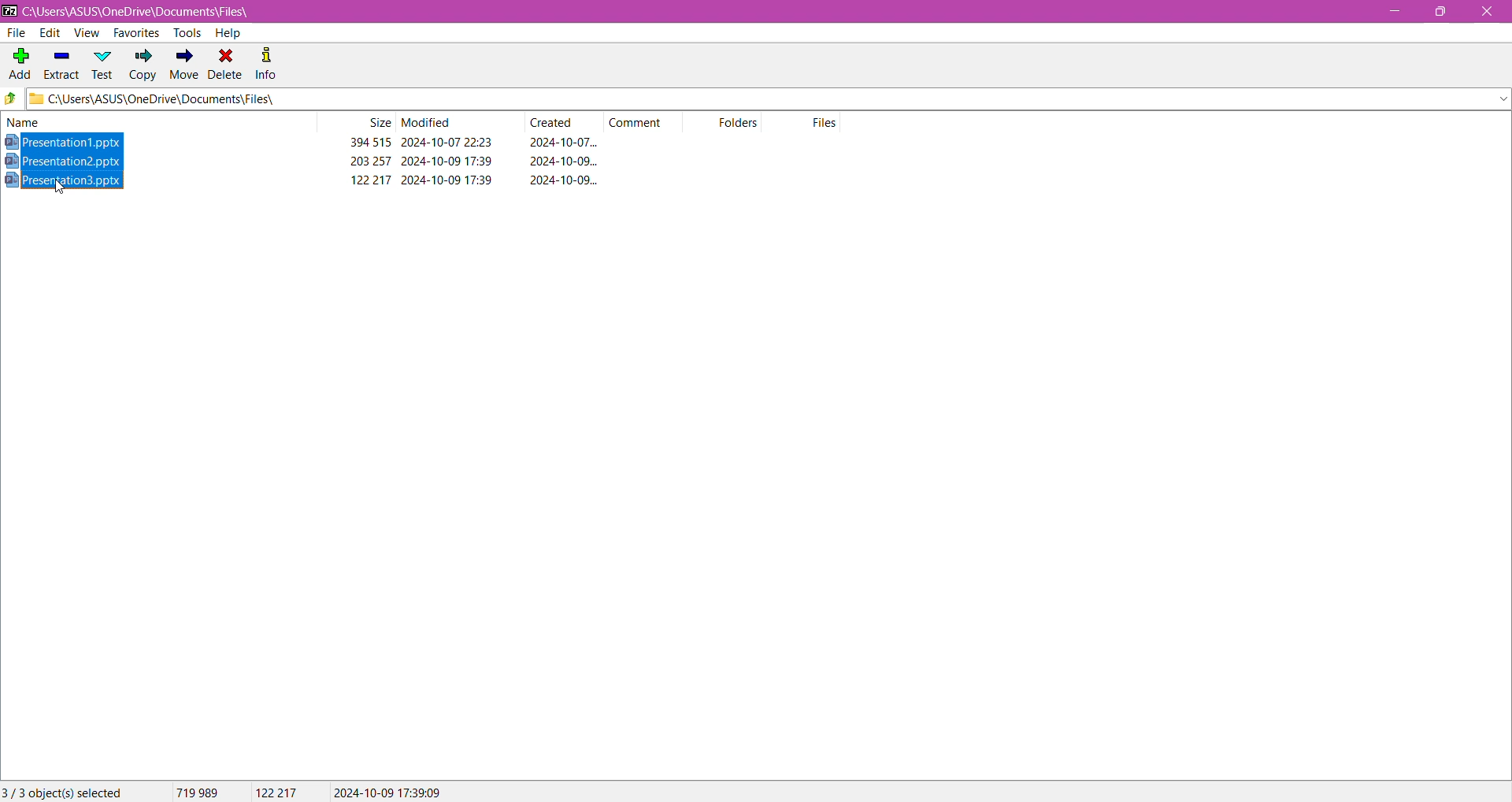 The width and height of the screenshot is (1512, 802). Describe the element at coordinates (228, 33) in the screenshot. I see `Help` at that location.